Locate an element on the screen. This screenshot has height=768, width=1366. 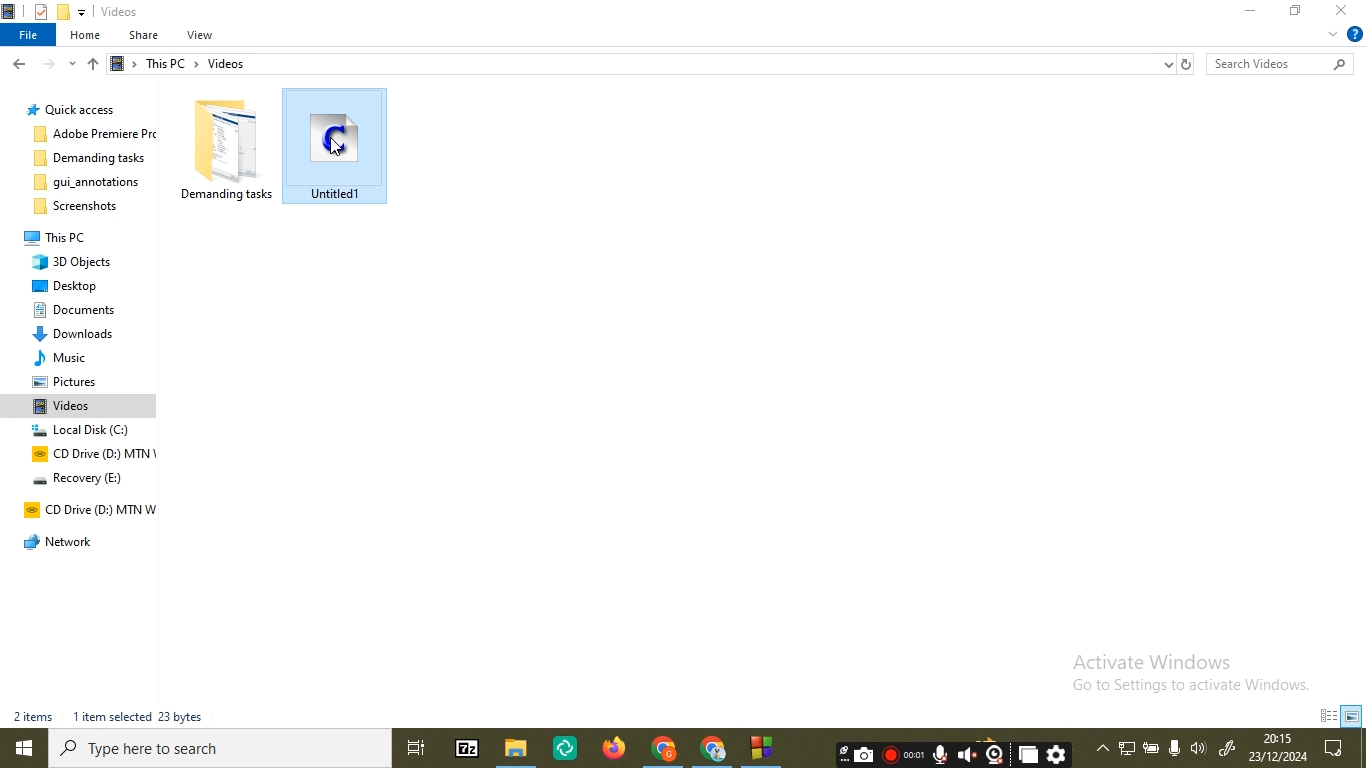
order is located at coordinates (1331, 716).